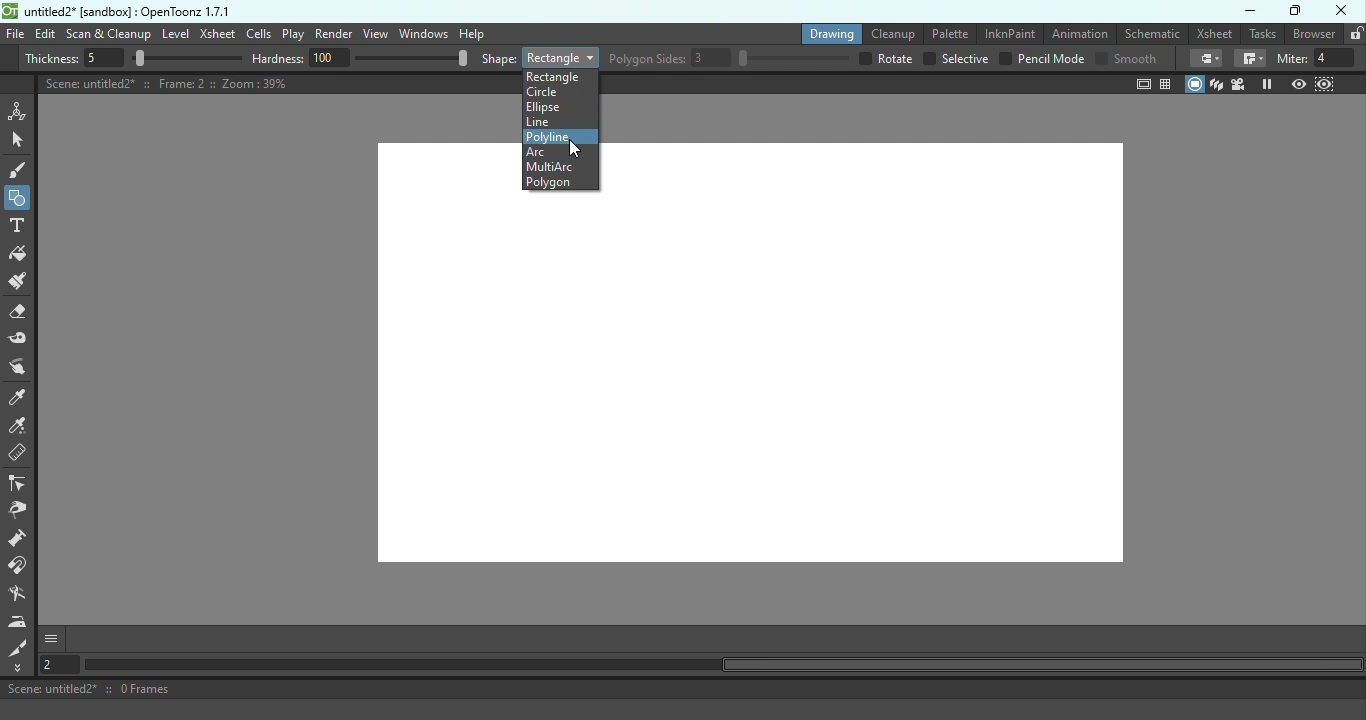 This screenshot has height=720, width=1366. Describe the element at coordinates (422, 34) in the screenshot. I see `Windows` at that location.